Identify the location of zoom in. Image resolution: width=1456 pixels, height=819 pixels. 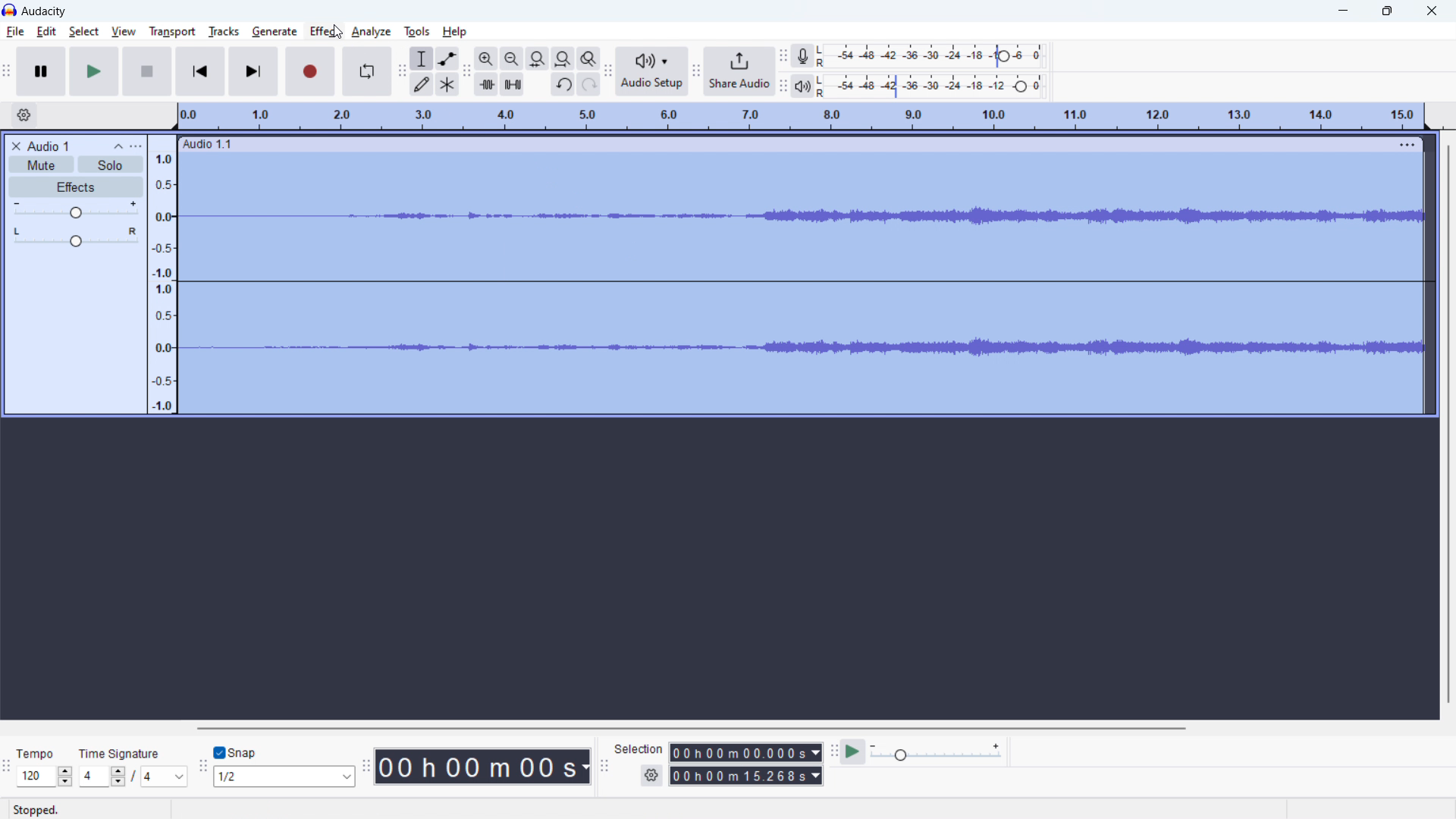
(486, 58).